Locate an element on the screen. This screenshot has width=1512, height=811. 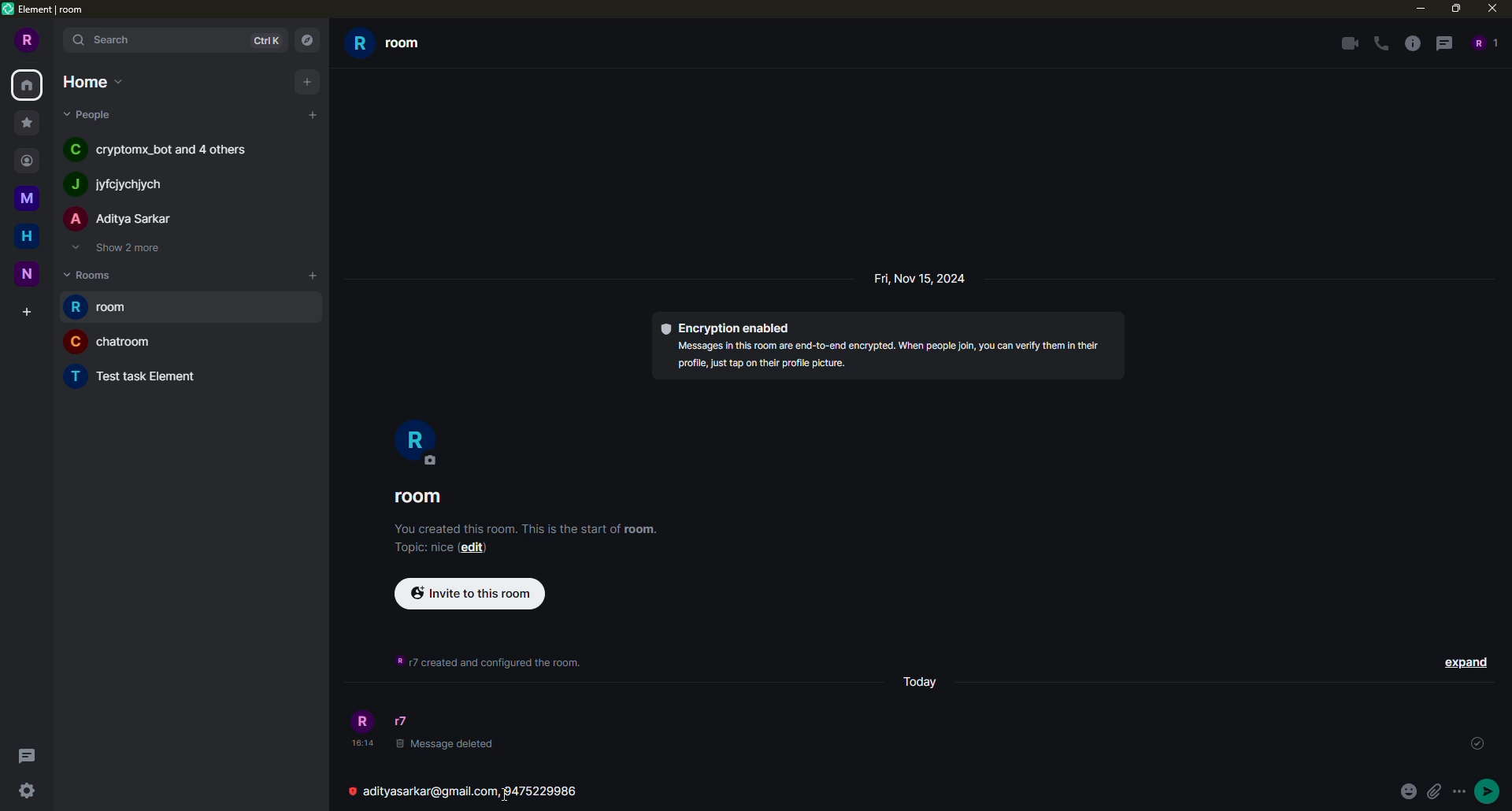
info is located at coordinates (891, 355).